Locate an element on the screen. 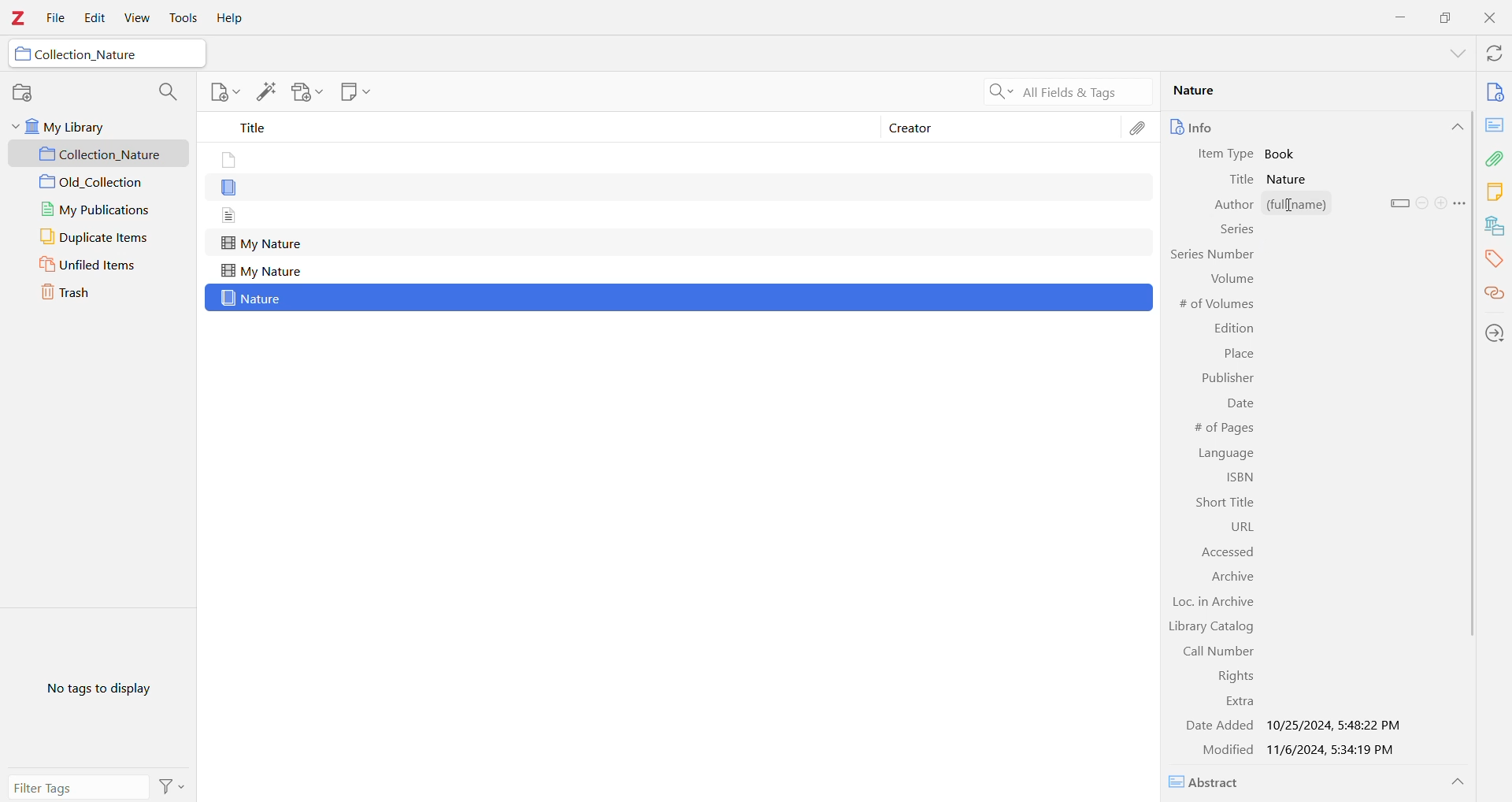 Image resolution: width=1512 pixels, height=802 pixels. Help is located at coordinates (228, 19).